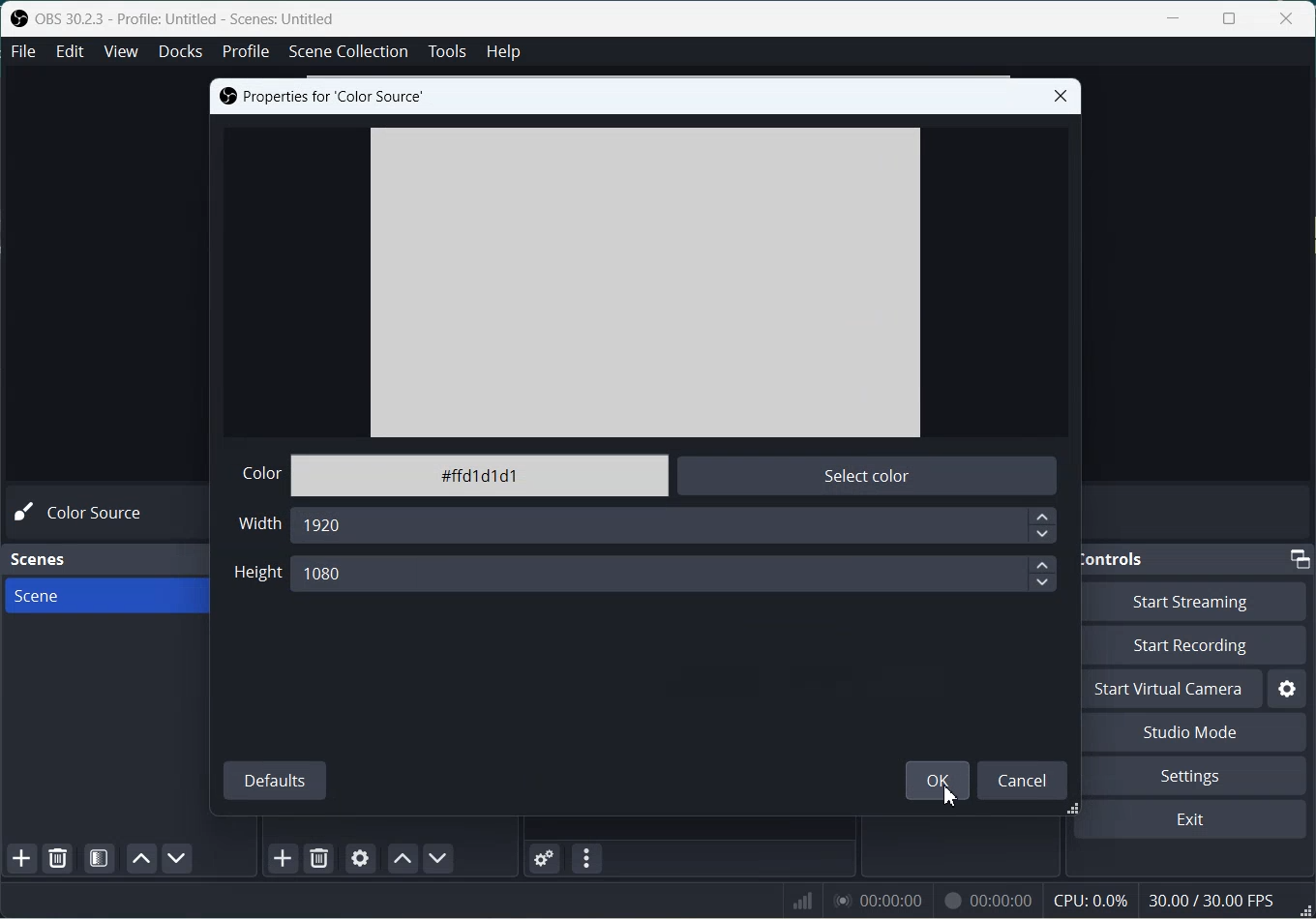 The height and width of the screenshot is (919, 1316). Describe the element at coordinates (938, 781) in the screenshot. I see `OK` at that location.